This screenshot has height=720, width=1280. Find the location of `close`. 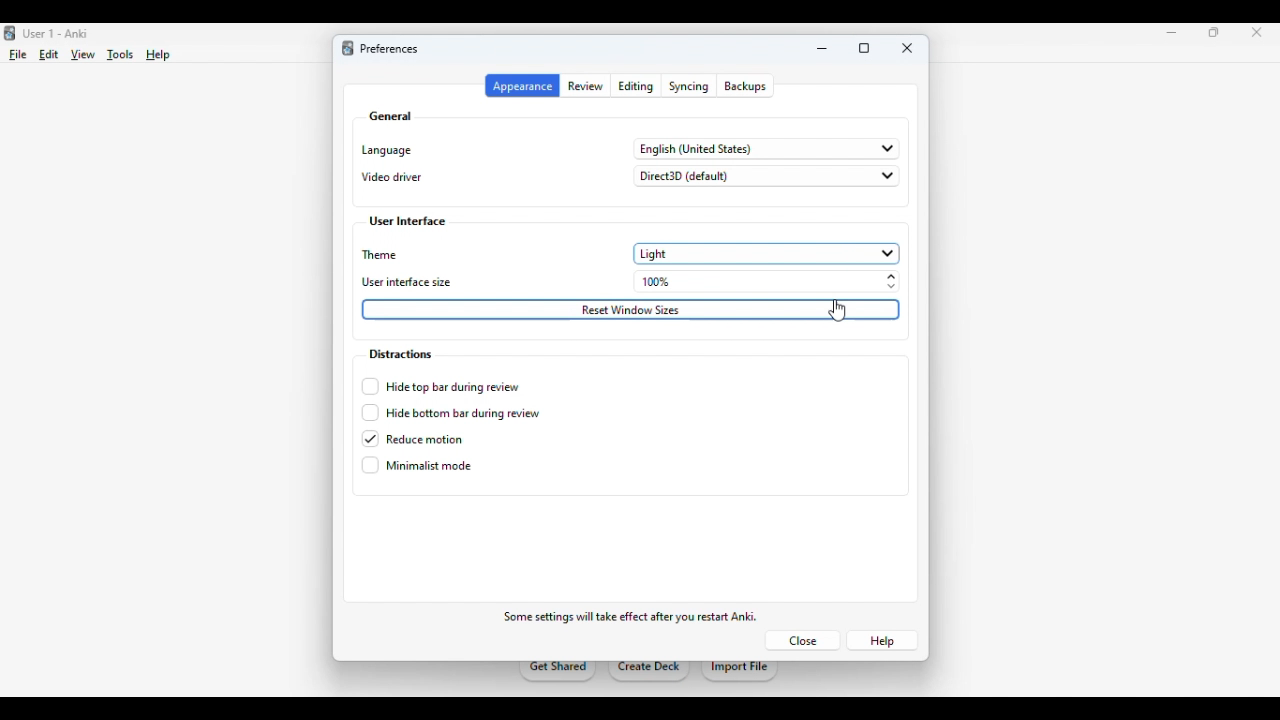

close is located at coordinates (1257, 32).